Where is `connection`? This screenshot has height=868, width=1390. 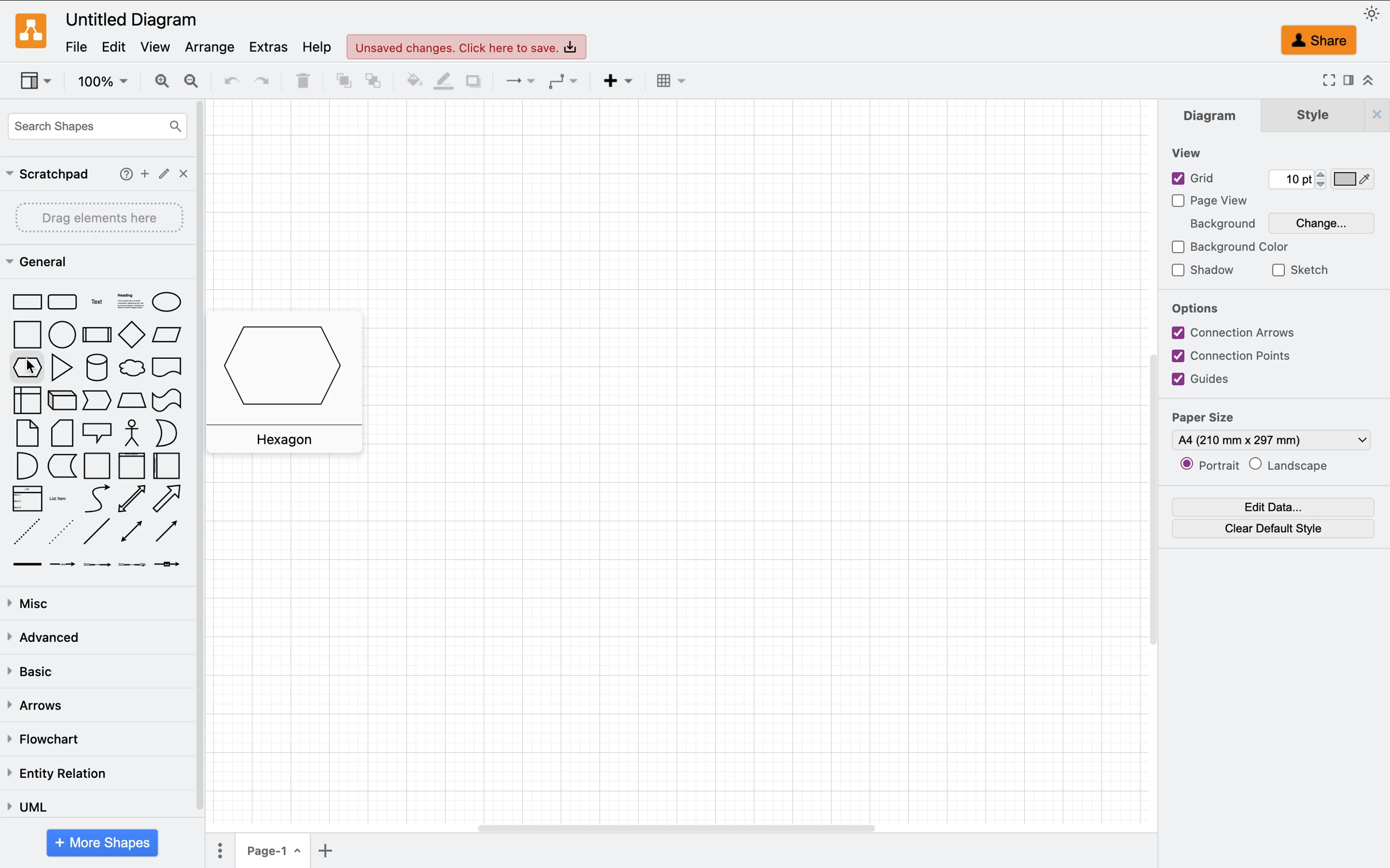 connection is located at coordinates (513, 81).